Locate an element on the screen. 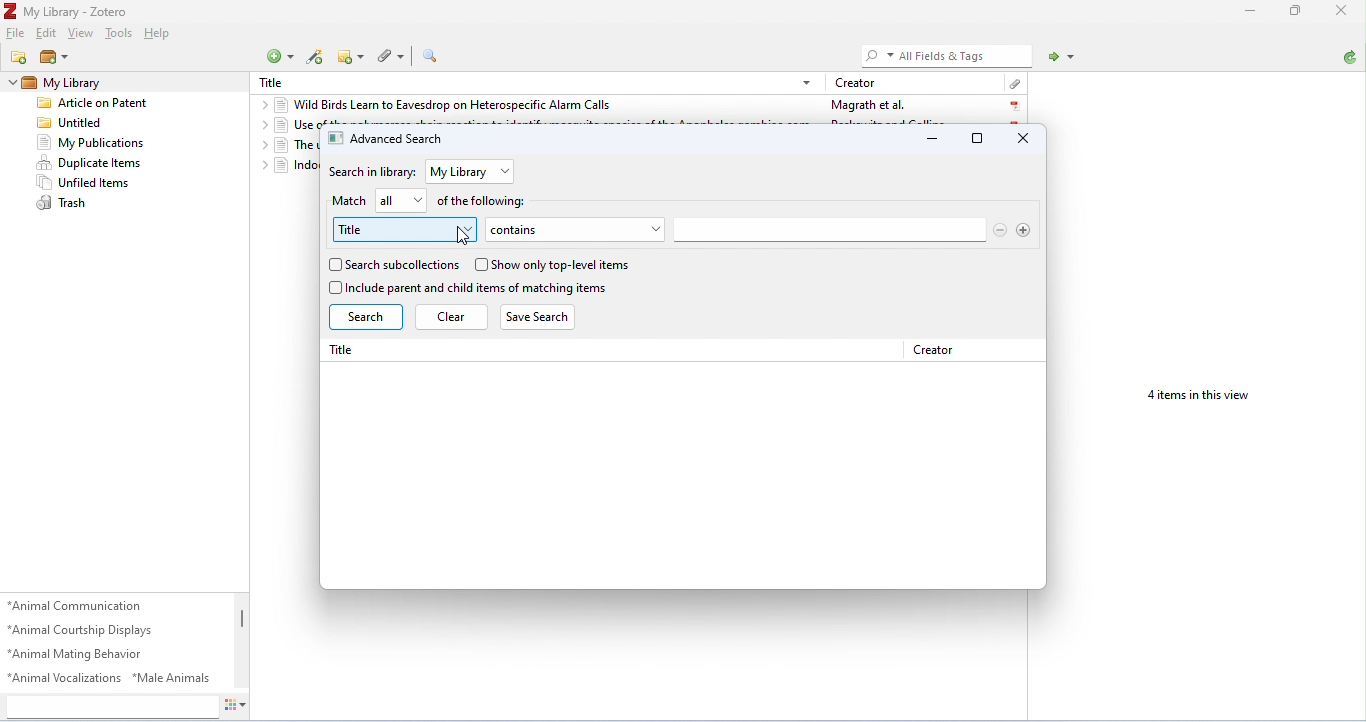 This screenshot has height=722, width=1366. remove search options is located at coordinates (1000, 229).